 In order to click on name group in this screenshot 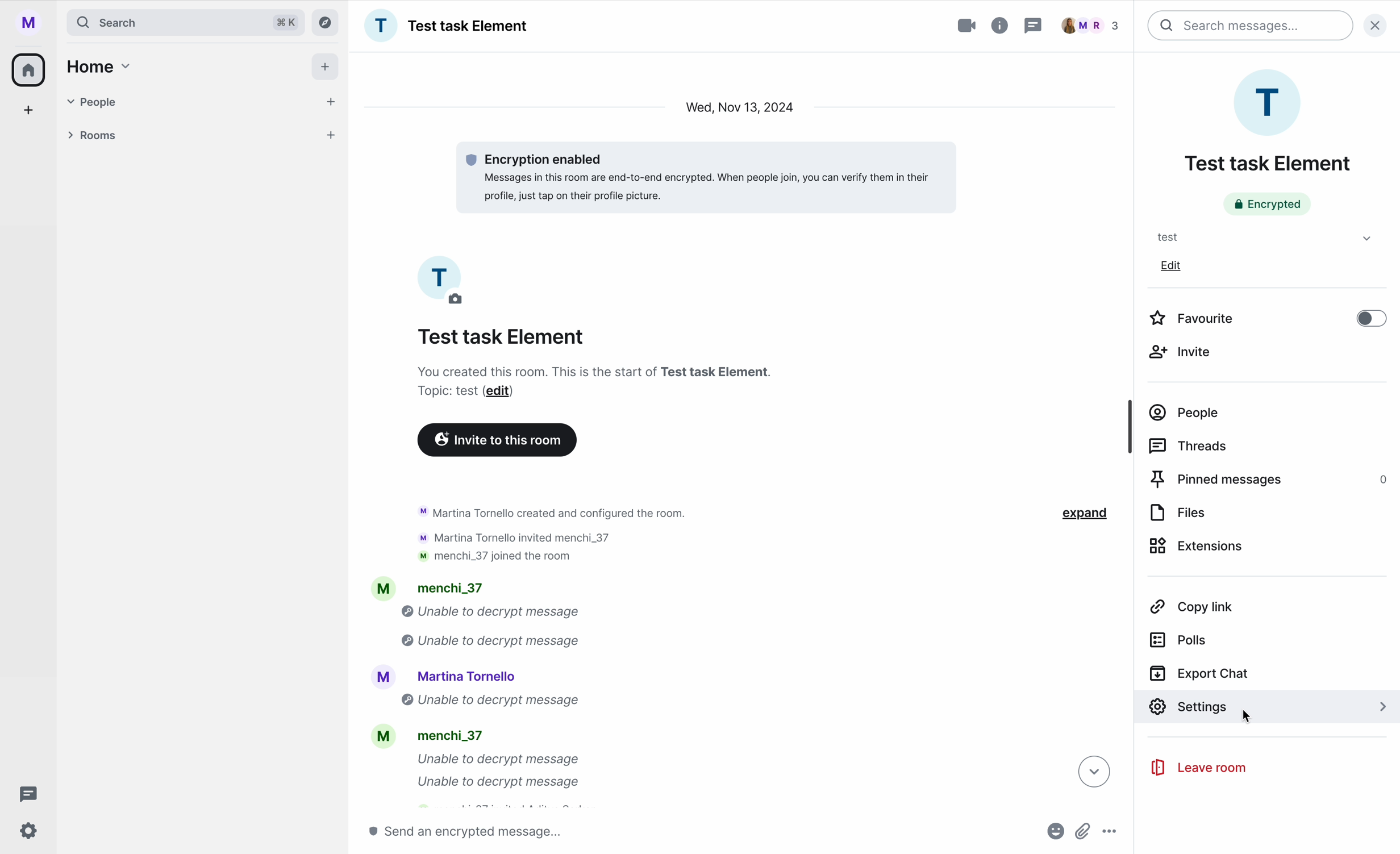, I will do `click(449, 26)`.